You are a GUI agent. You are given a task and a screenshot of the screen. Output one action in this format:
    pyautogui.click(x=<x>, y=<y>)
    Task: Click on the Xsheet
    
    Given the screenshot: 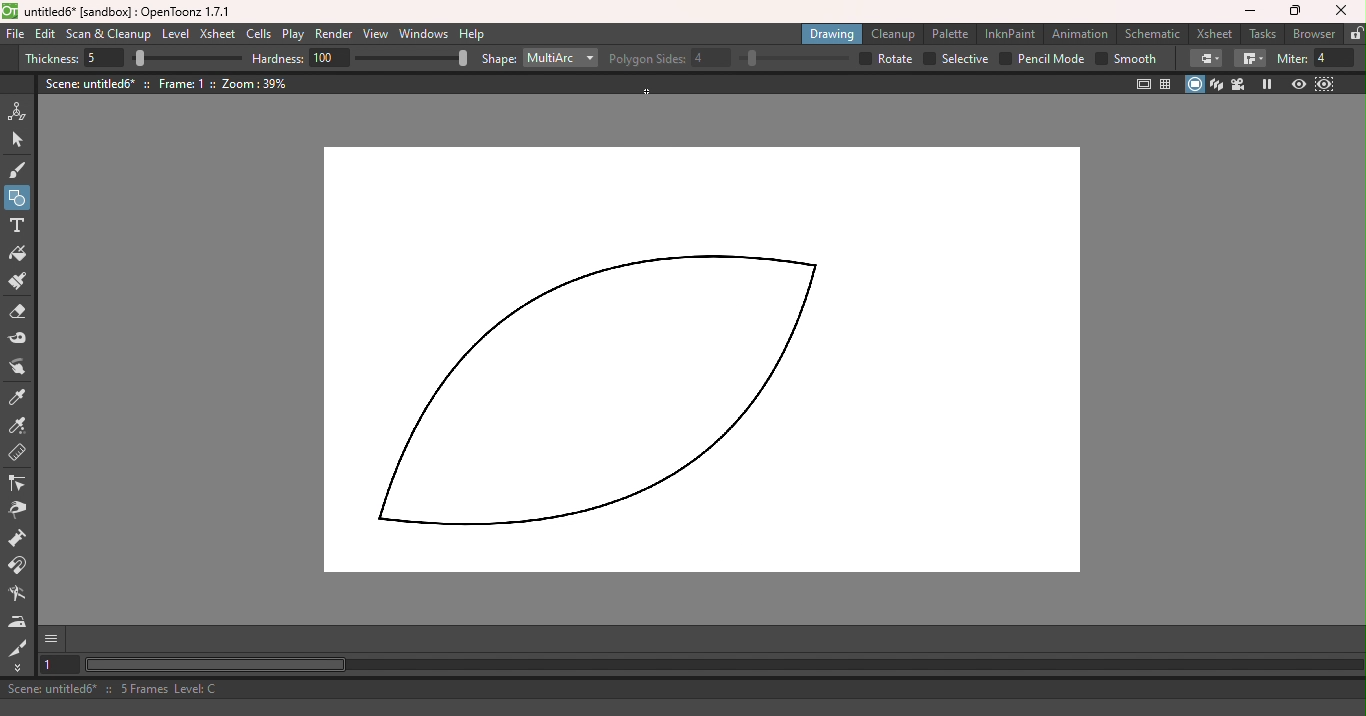 What is the action you would take?
    pyautogui.click(x=216, y=34)
    